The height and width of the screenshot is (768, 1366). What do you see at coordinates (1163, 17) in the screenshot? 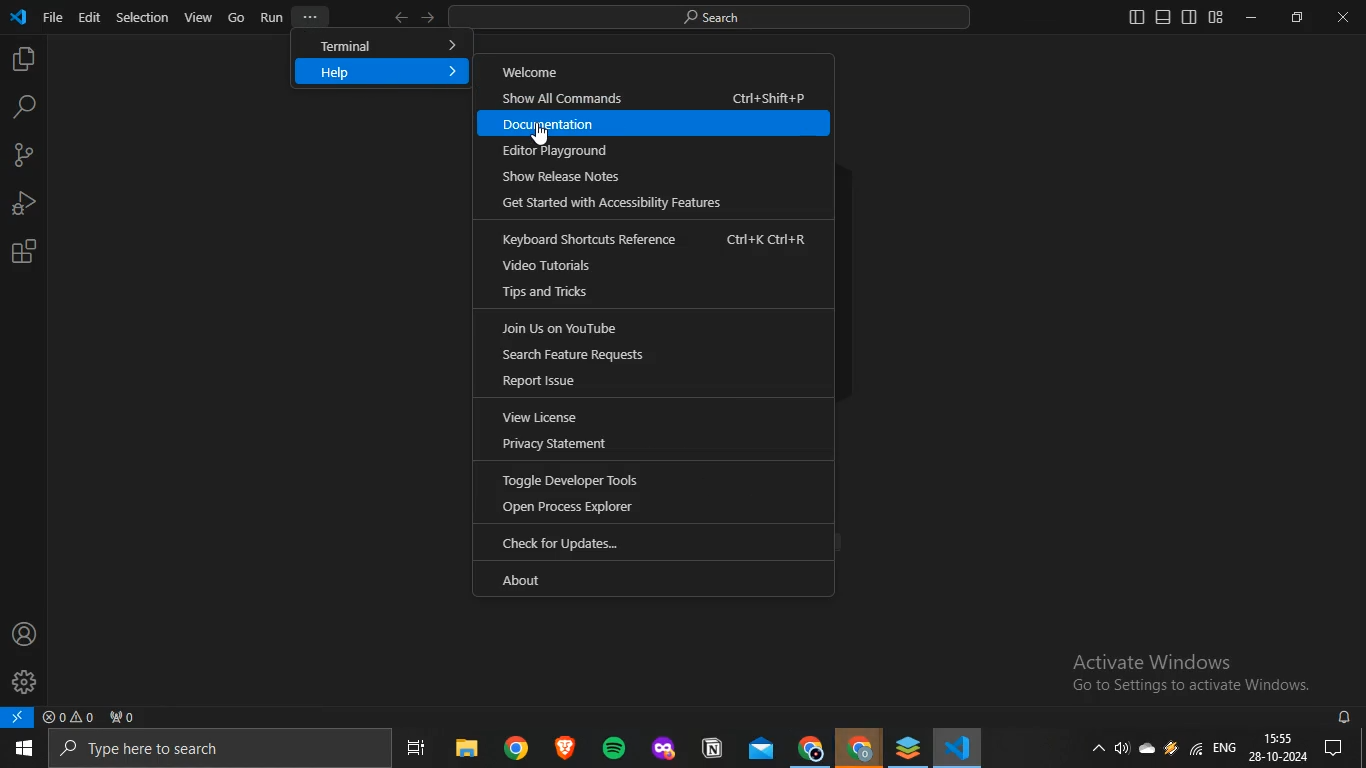
I see `toggle panel` at bounding box center [1163, 17].